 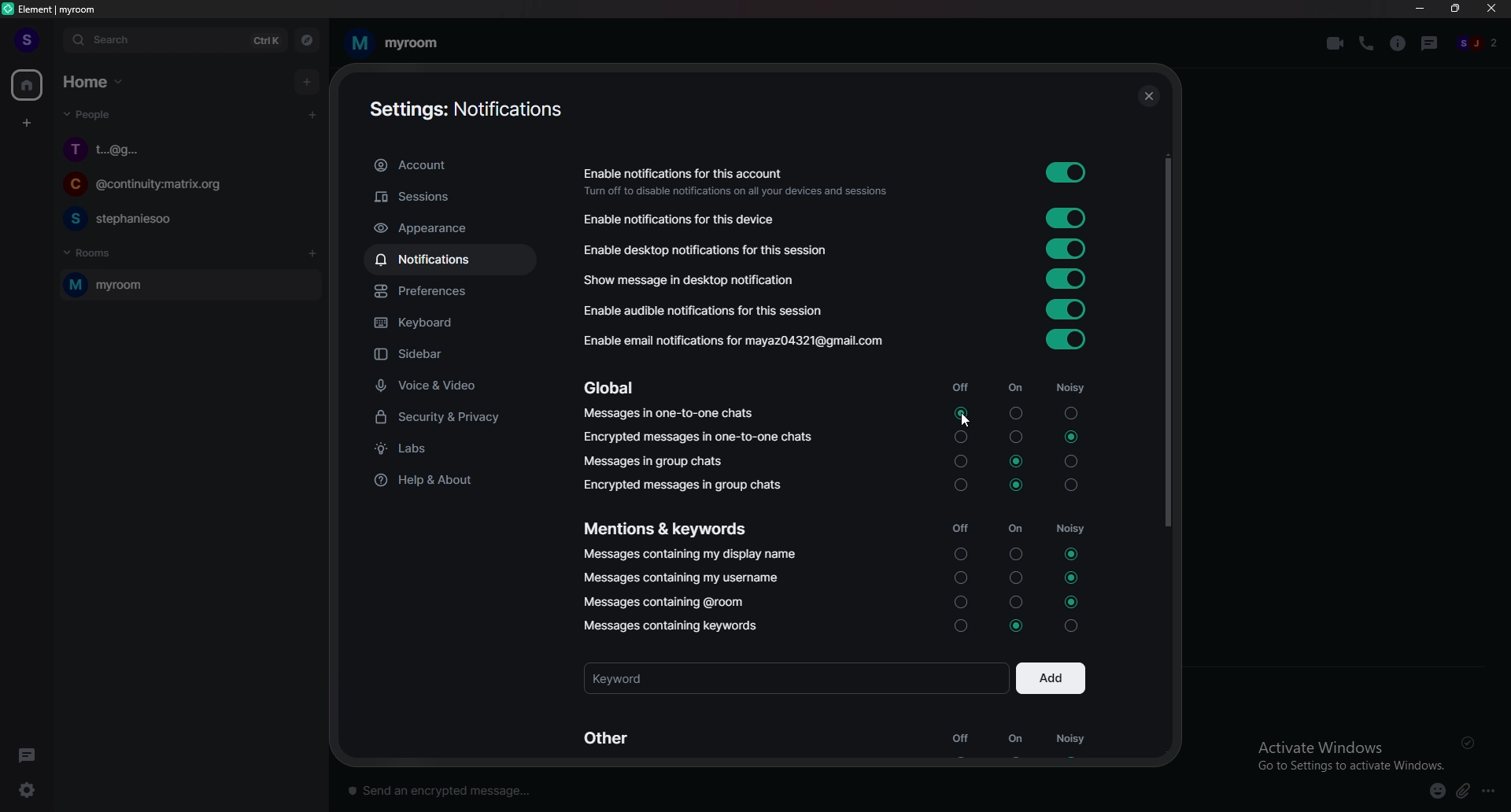 I want to click on off, so click(x=959, y=530).